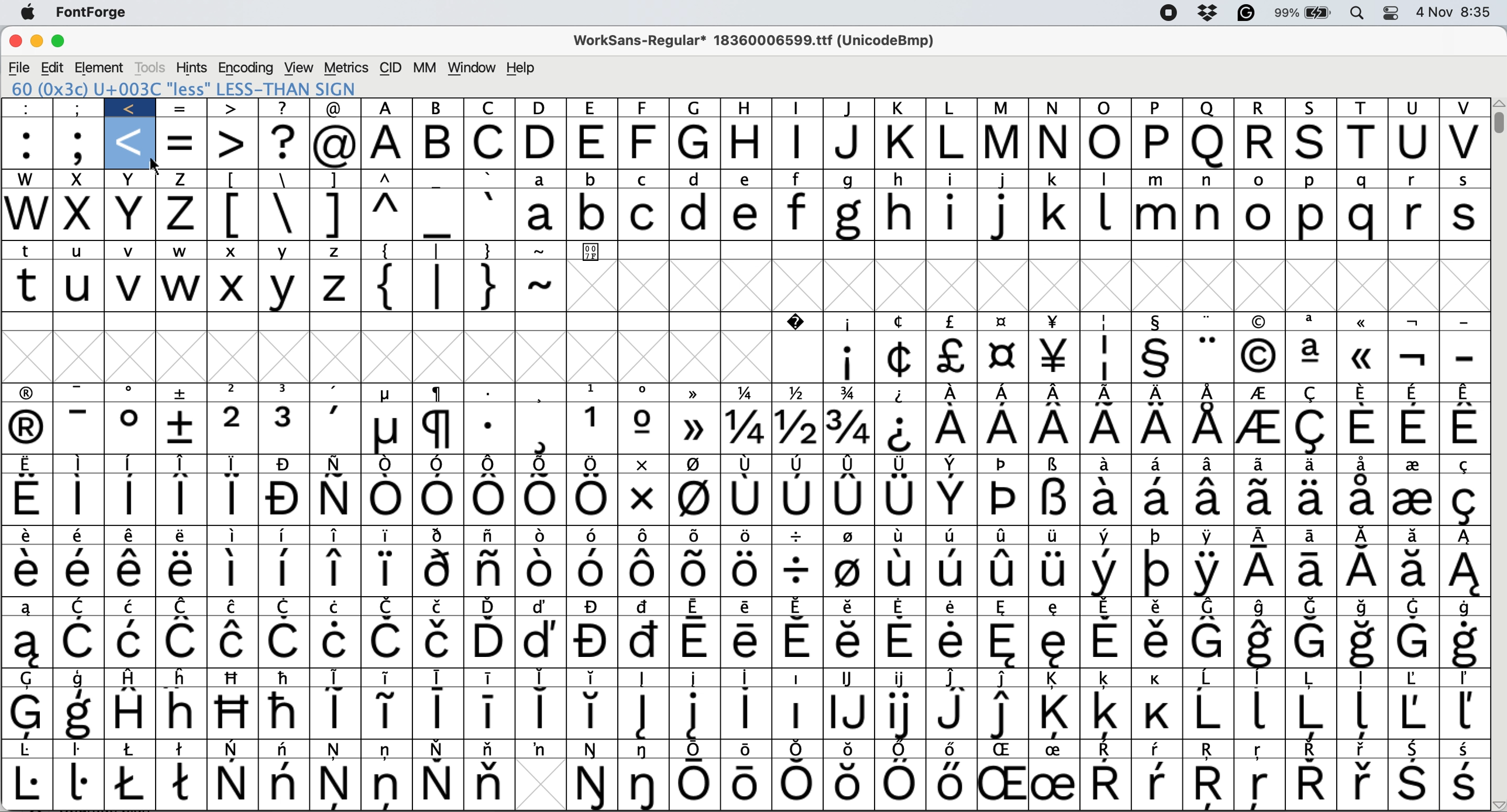 Image resolution: width=1507 pixels, height=812 pixels. Describe the element at coordinates (952, 214) in the screenshot. I see `i` at that location.